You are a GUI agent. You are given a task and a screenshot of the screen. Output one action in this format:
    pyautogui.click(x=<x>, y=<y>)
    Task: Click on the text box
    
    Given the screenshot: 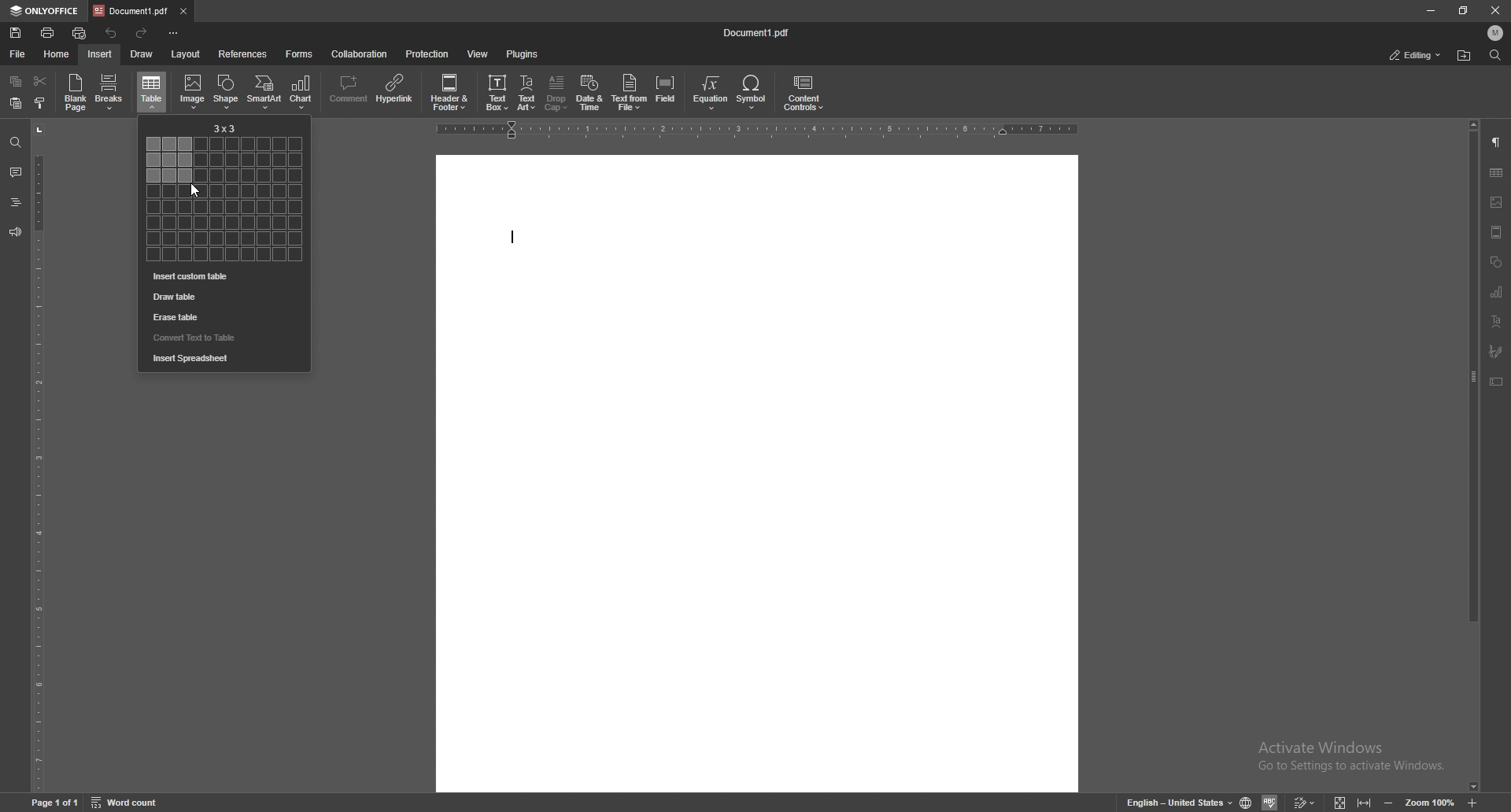 What is the action you would take?
    pyautogui.click(x=496, y=94)
    